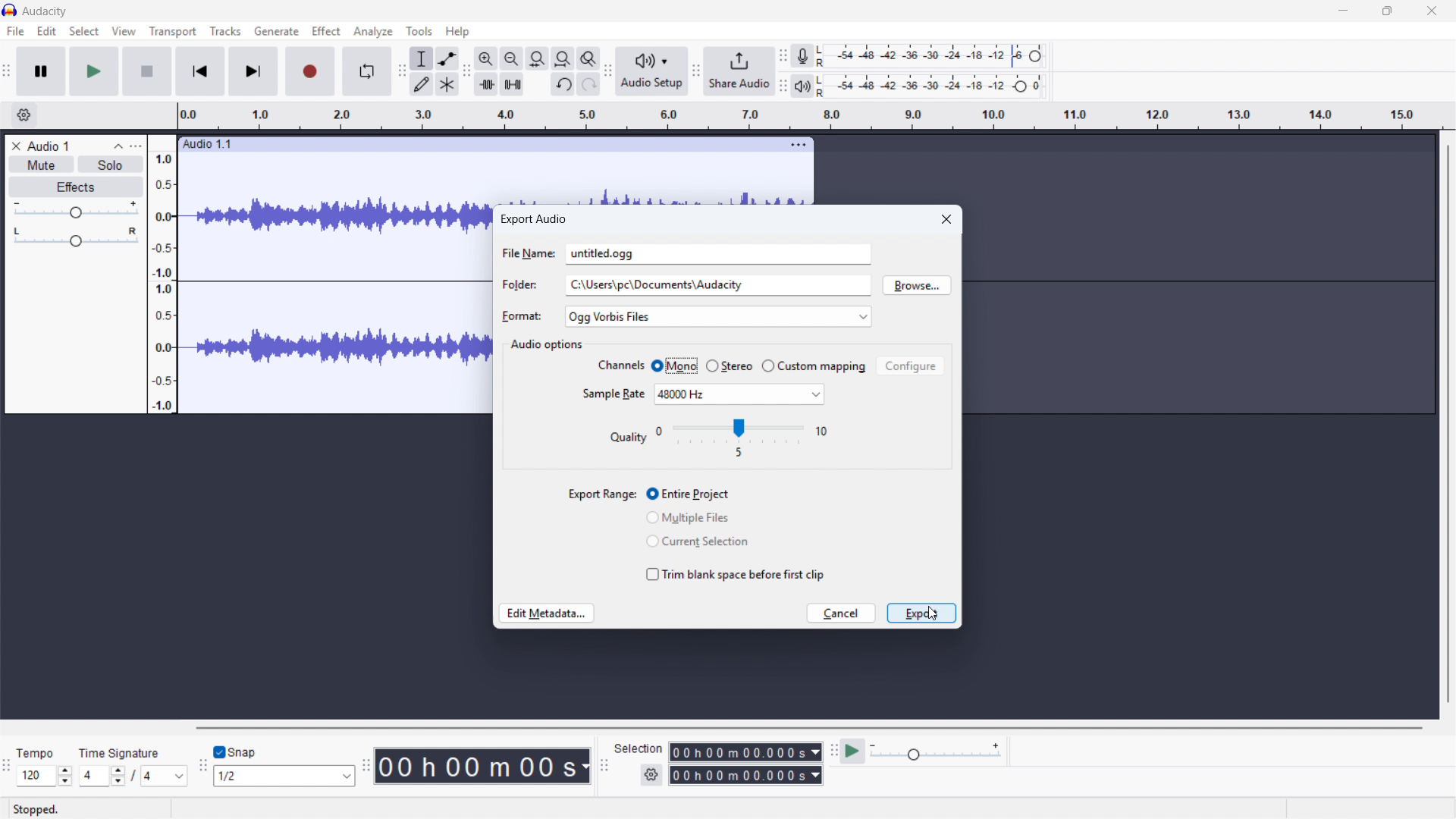 Image resolution: width=1456 pixels, height=819 pixels. Describe the element at coordinates (46, 32) in the screenshot. I see ` Edit ` at that location.